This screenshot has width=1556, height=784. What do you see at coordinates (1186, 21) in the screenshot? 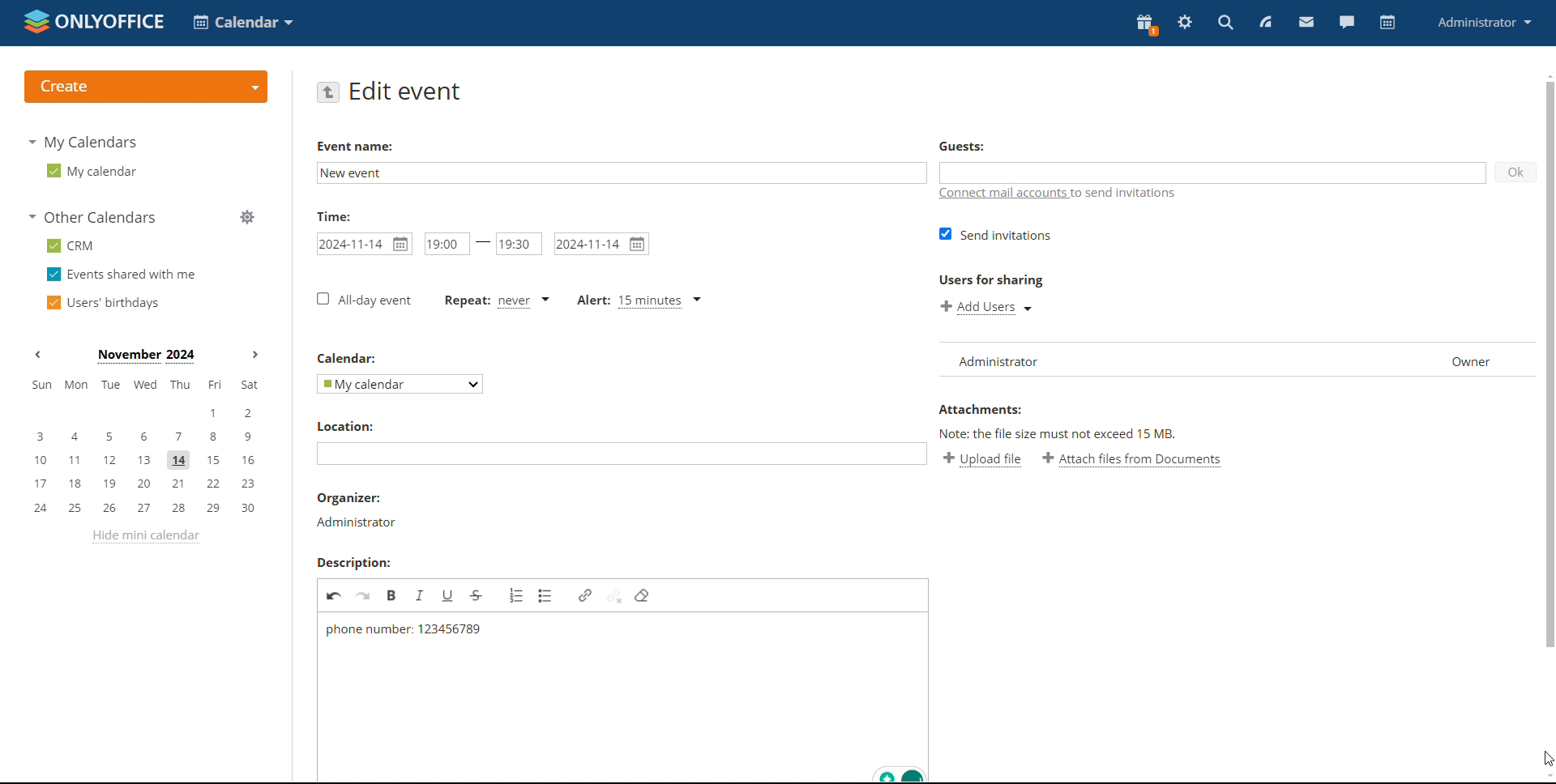
I see `settings` at bounding box center [1186, 21].